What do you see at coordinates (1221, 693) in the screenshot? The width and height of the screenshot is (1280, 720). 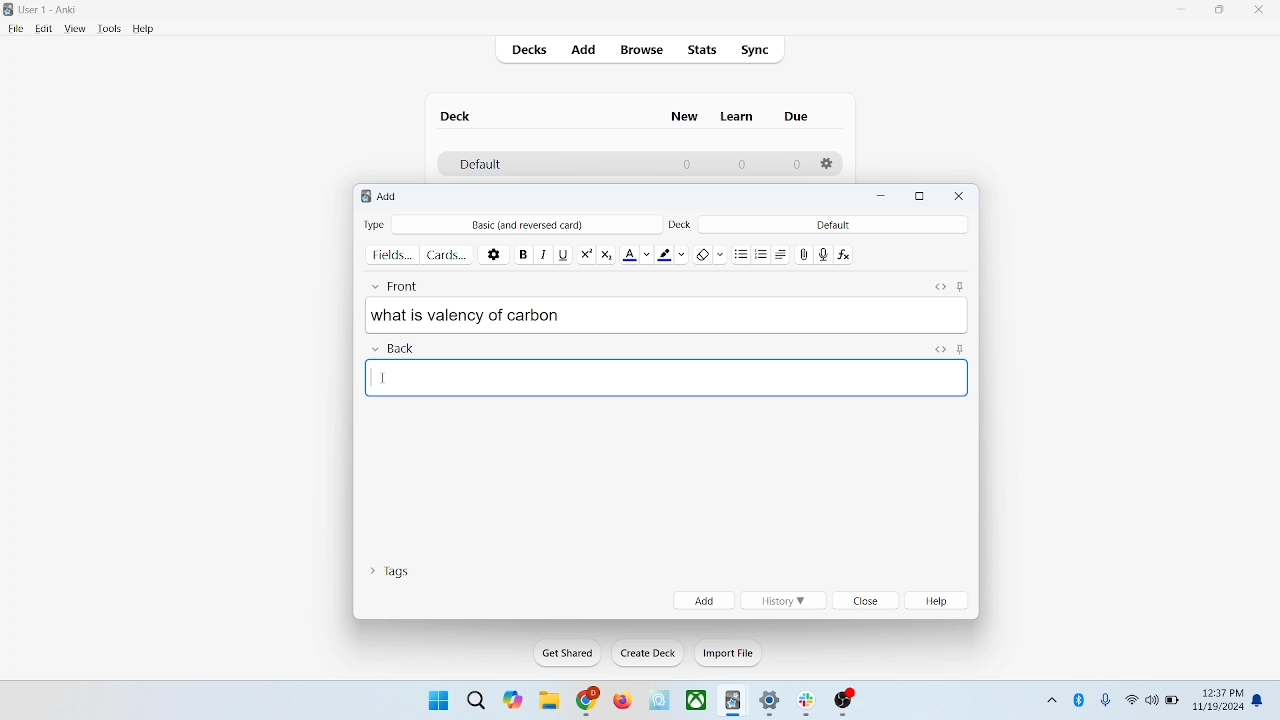 I see `12:37 PM` at bounding box center [1221, 693].